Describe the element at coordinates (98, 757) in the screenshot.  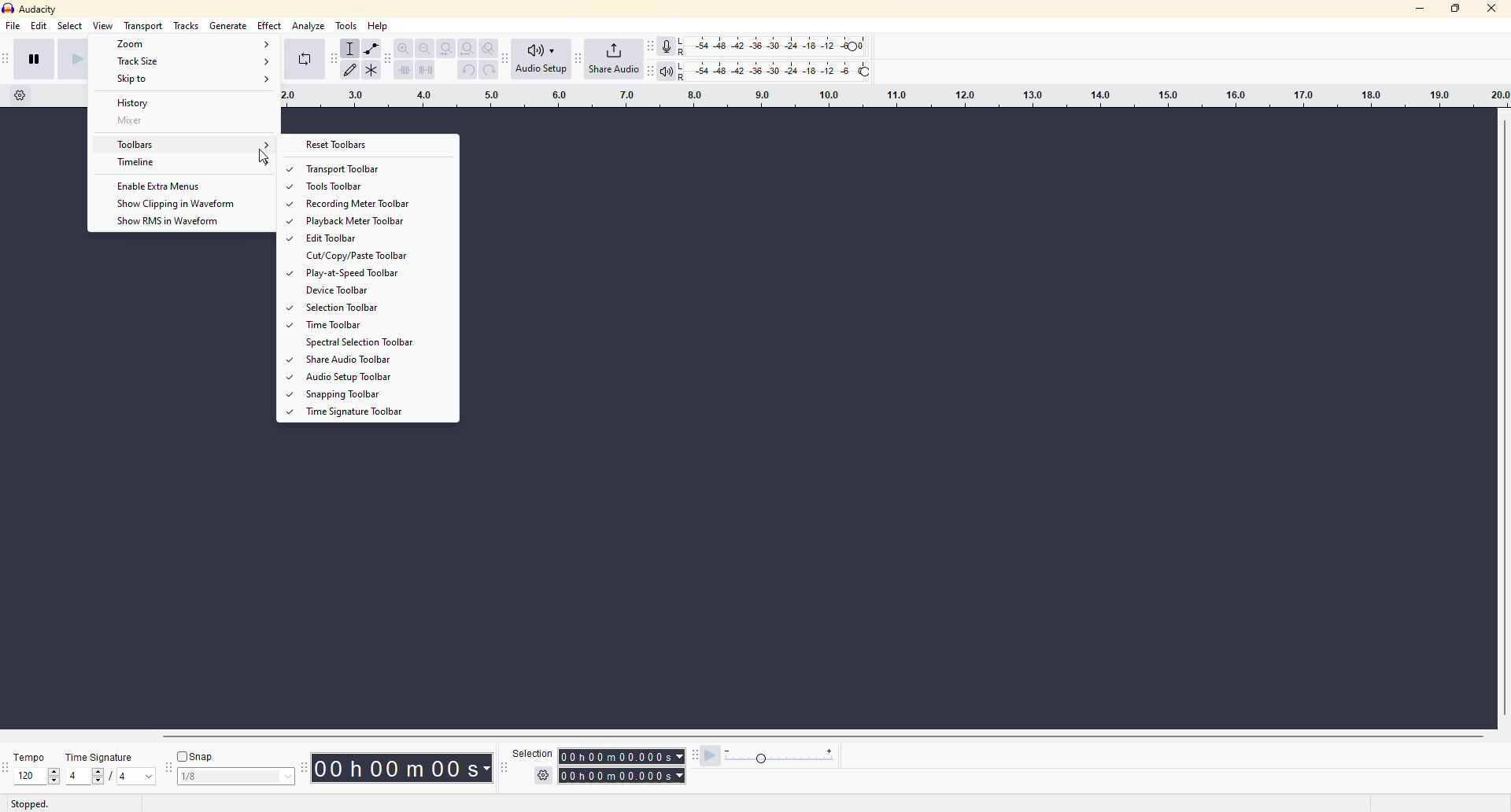
I see `time signature` at that location.